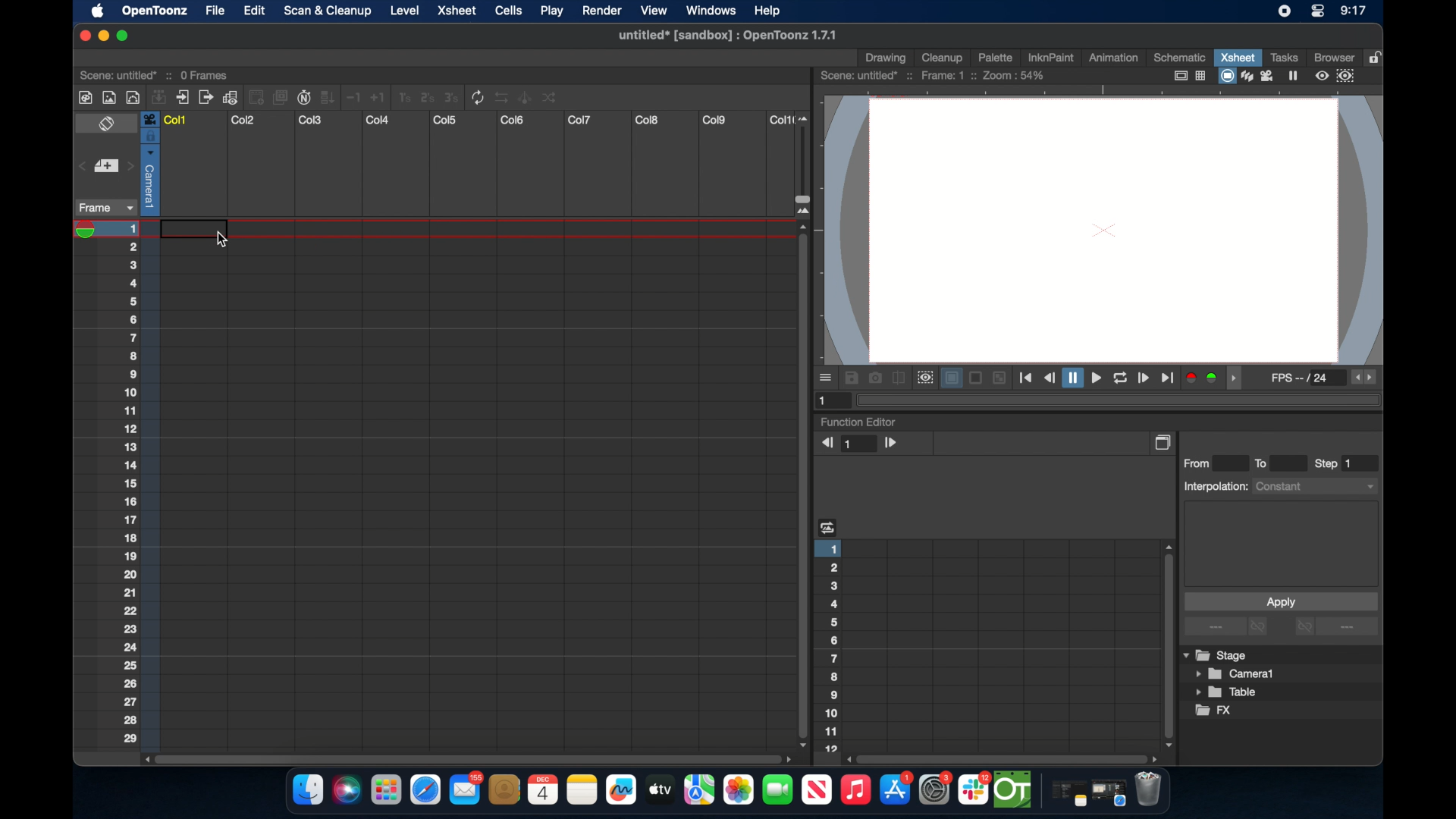 Image resolution: width=1456 pixels, height=819 pixels. I want to click on set, so click(105, 167).